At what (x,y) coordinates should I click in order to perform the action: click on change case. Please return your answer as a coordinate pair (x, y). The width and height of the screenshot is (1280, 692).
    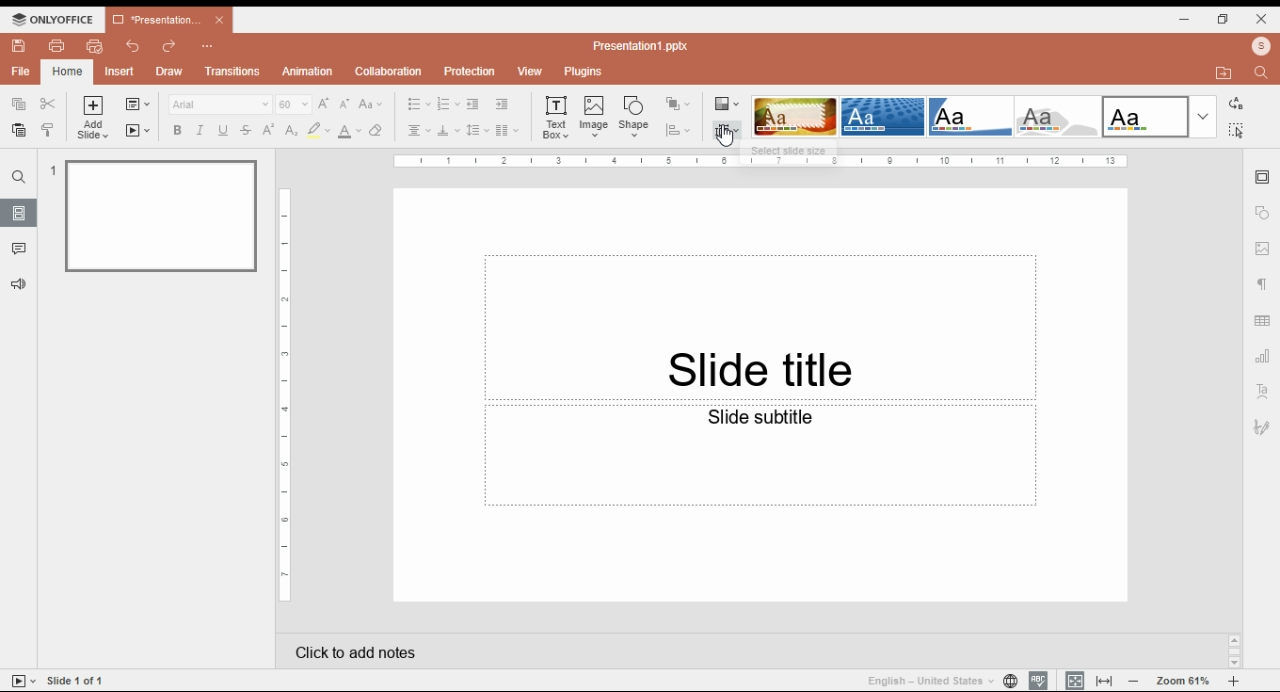
    Looking at the image, I should click on (371, 104).